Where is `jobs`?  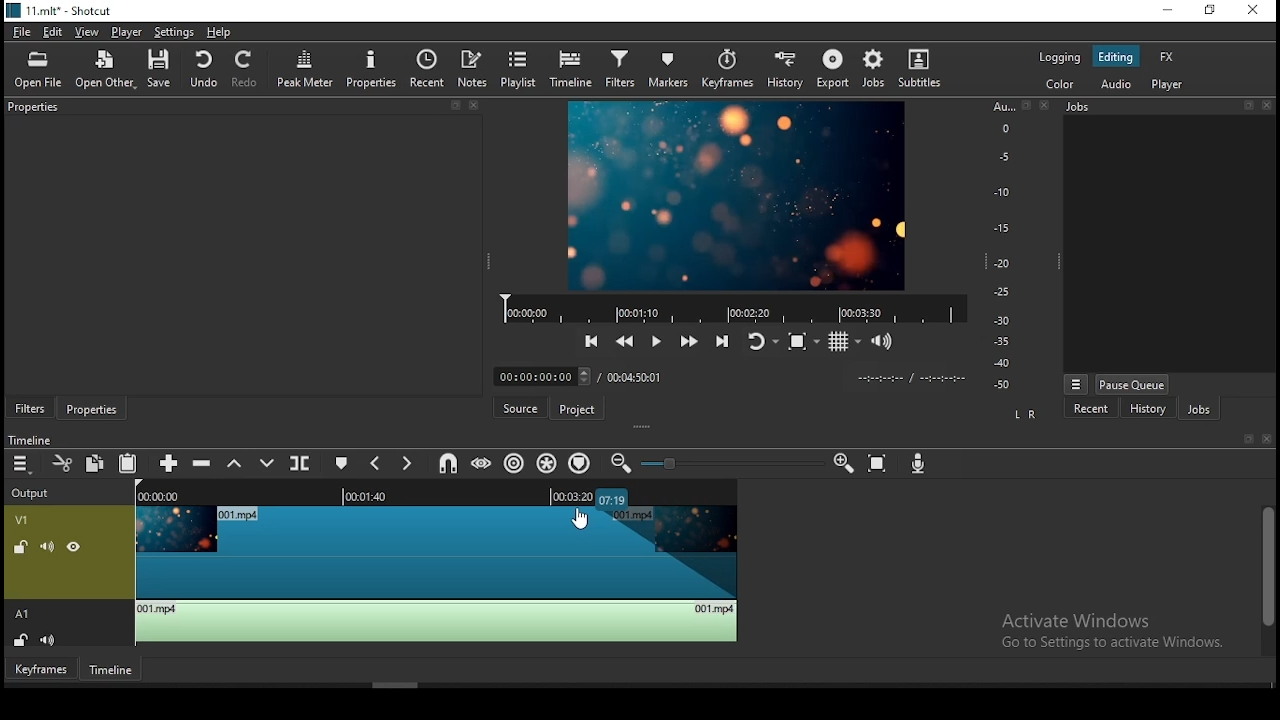 jobs is located at coordinates (1196, 411).